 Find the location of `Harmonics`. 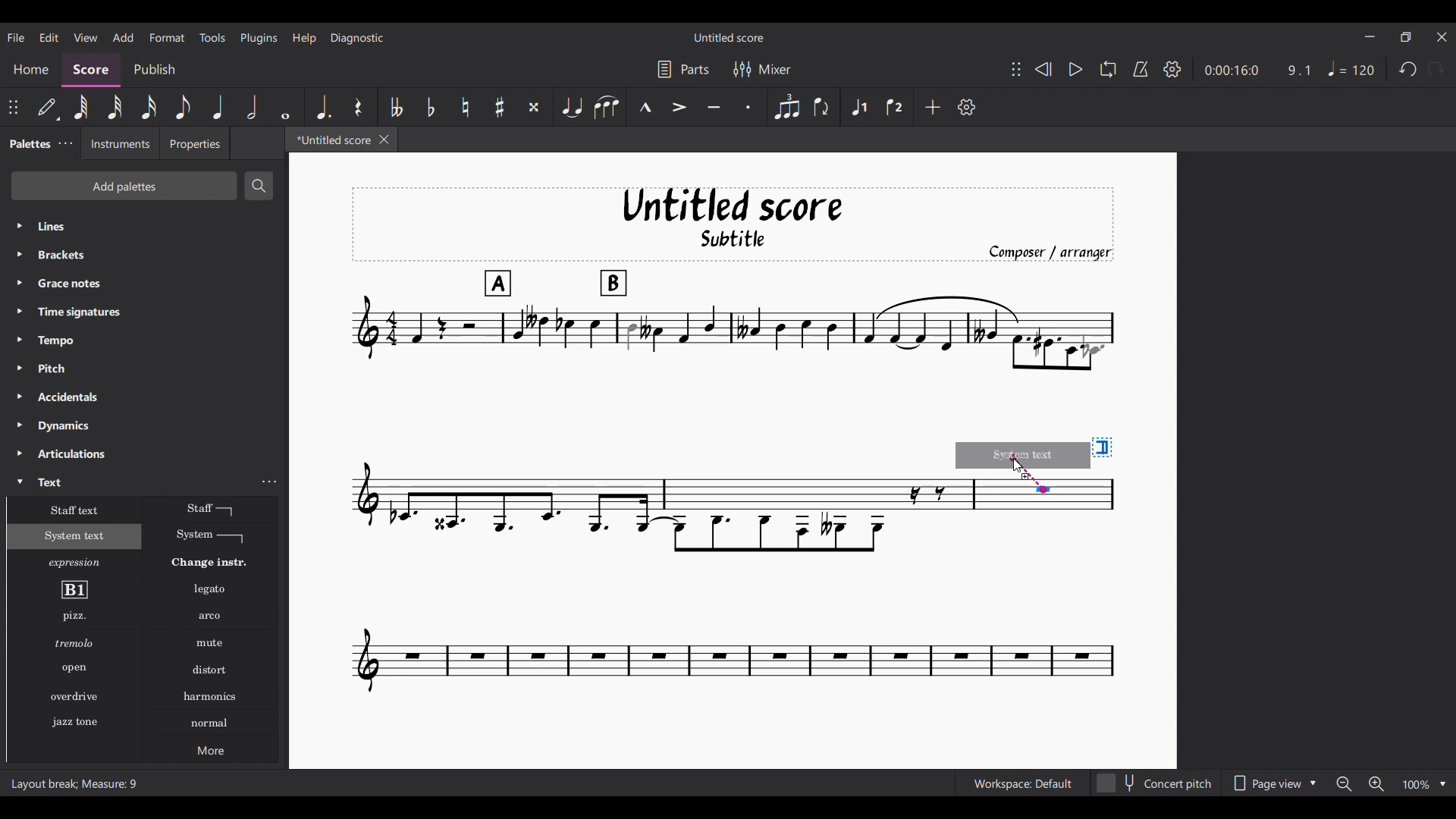

Harmonics is located at coordinates (209, 697).